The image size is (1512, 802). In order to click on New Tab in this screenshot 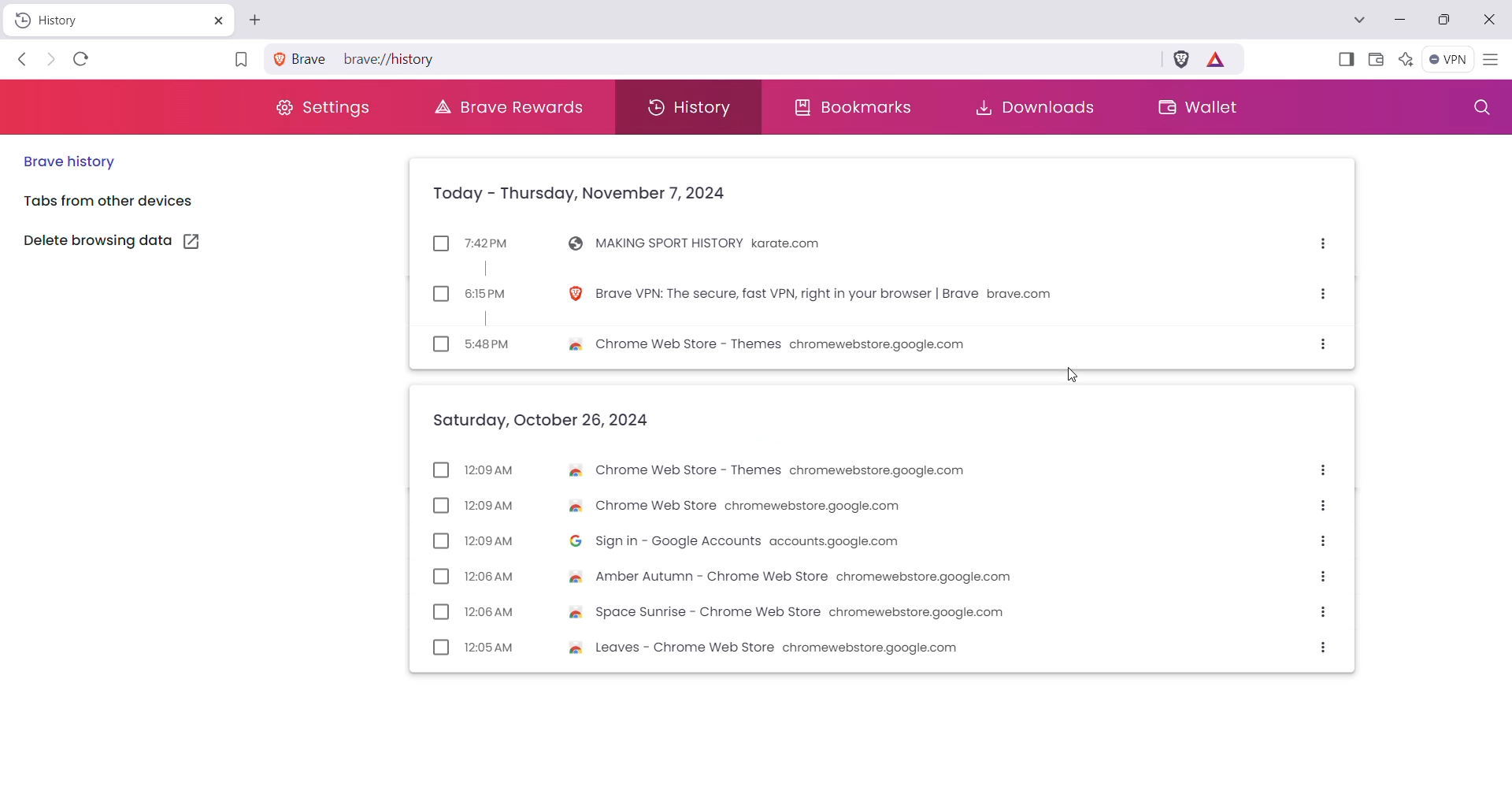, I will do `click(258, 20)`.